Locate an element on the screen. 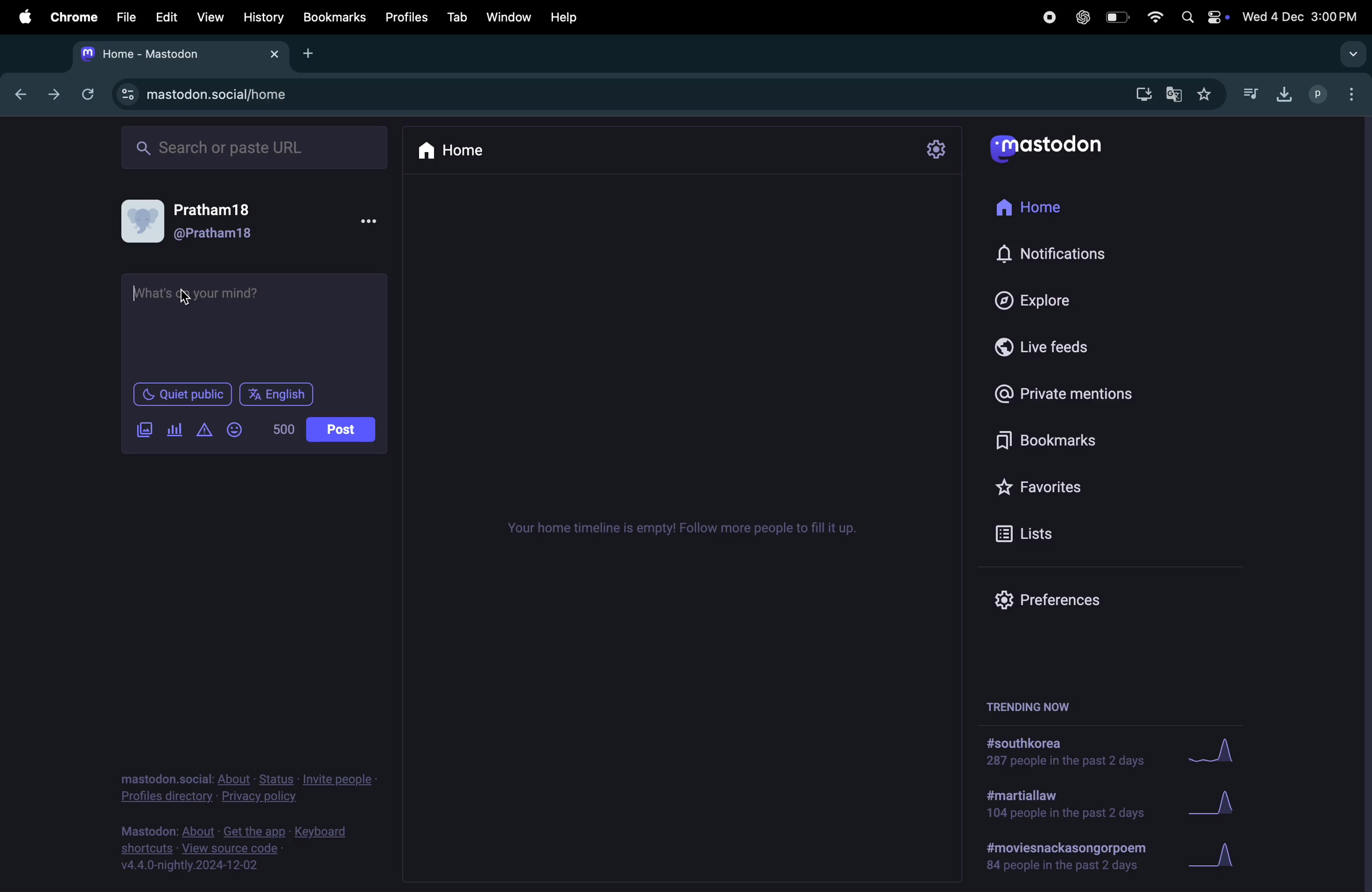  Graph is located at coordinates (1213, 856).